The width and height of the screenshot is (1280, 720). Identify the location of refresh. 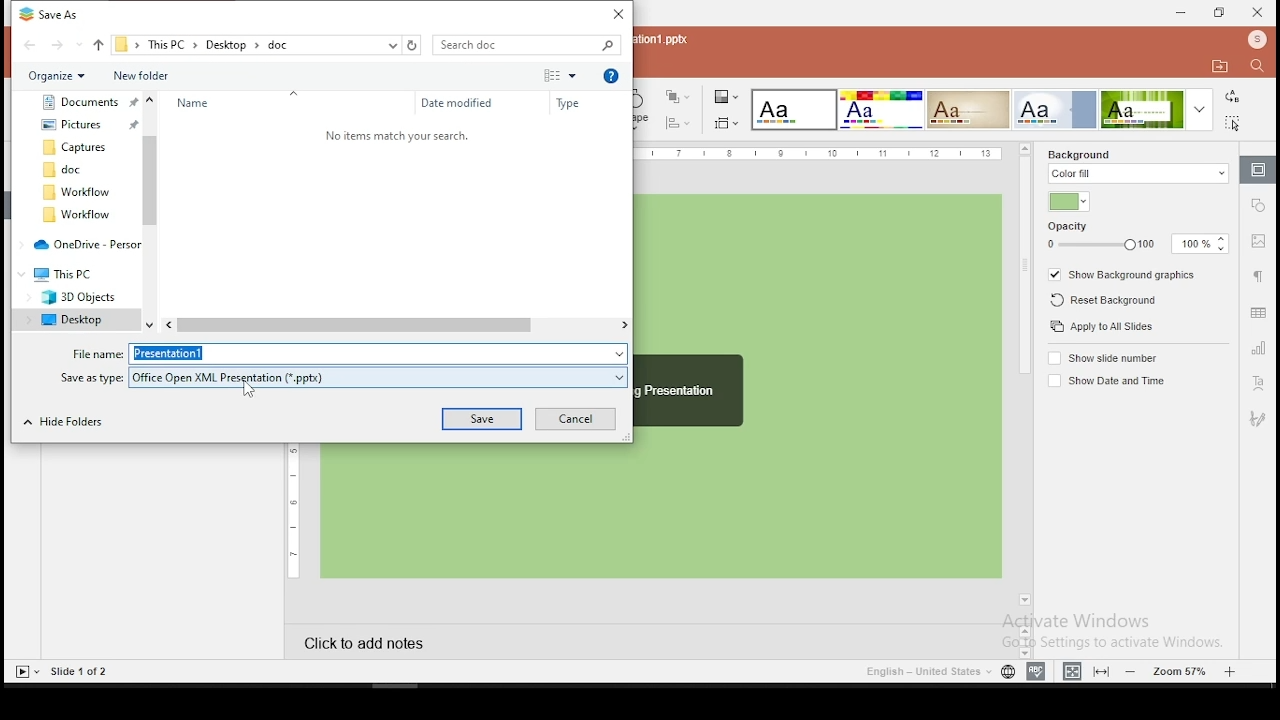
(414, 45).